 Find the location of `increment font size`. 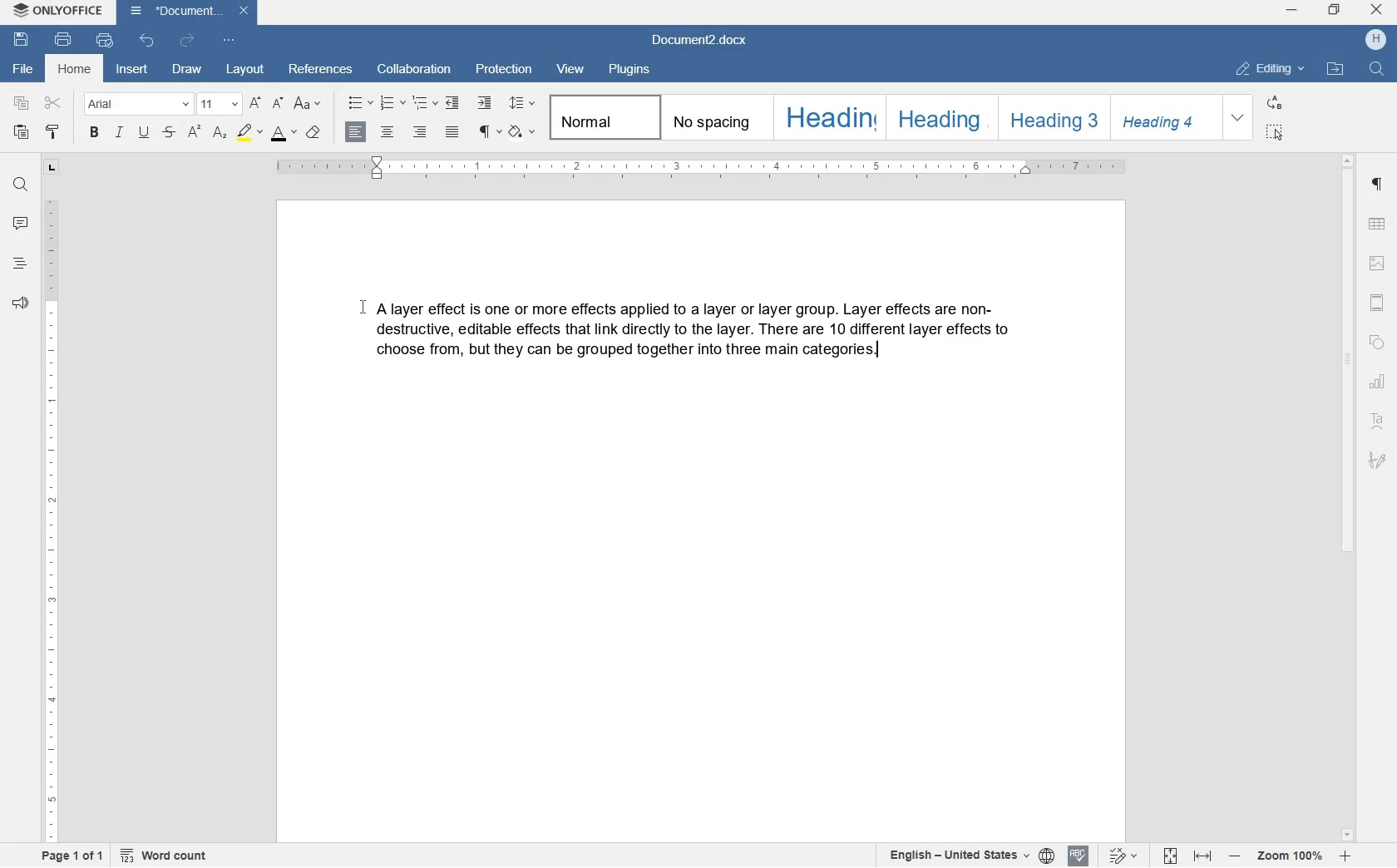

increment font size is located at coordinates (254, 103).